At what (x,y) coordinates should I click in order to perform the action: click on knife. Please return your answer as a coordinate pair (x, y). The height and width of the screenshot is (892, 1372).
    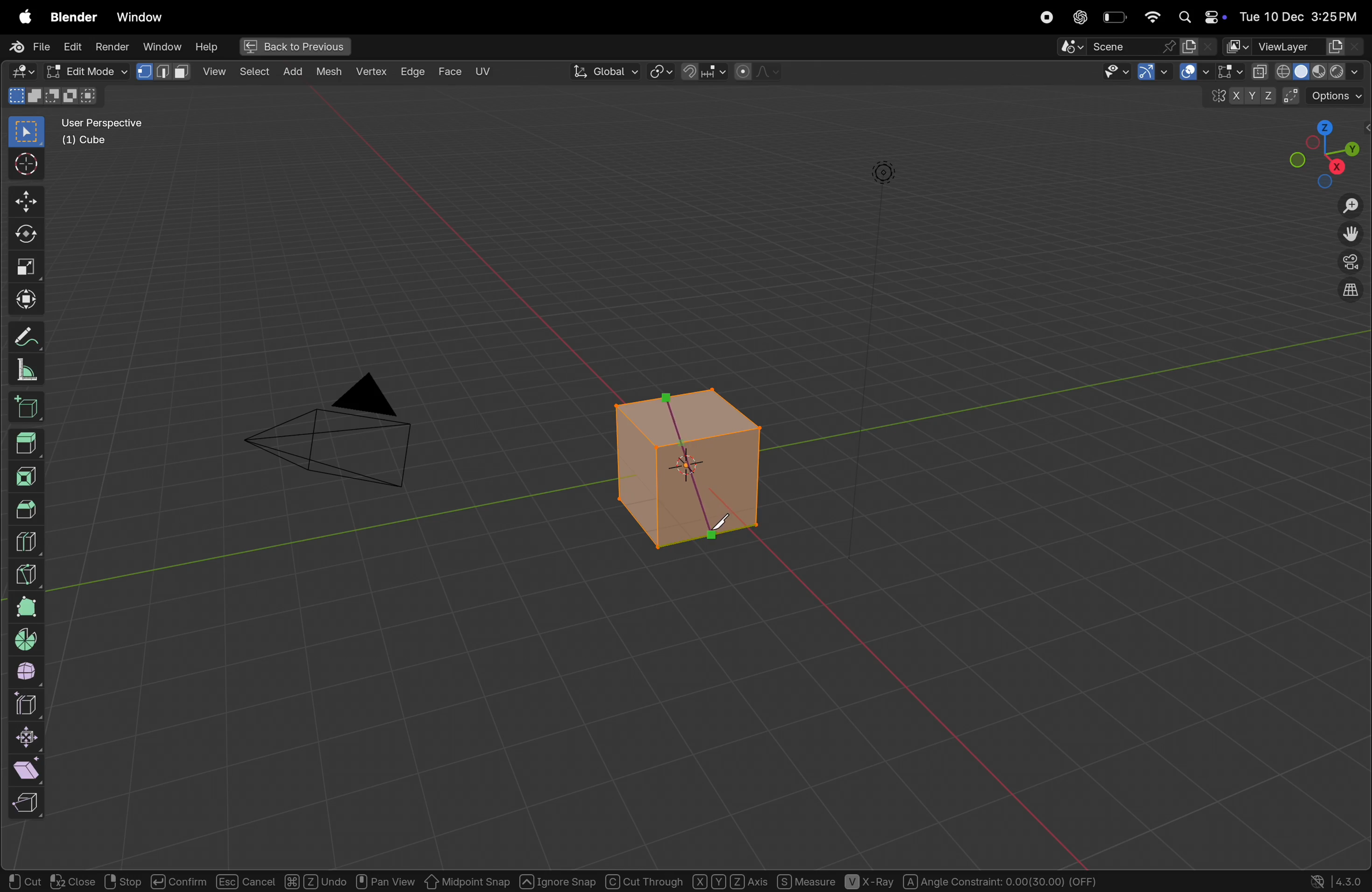
    Looking at the image, I should click on (717, 532).